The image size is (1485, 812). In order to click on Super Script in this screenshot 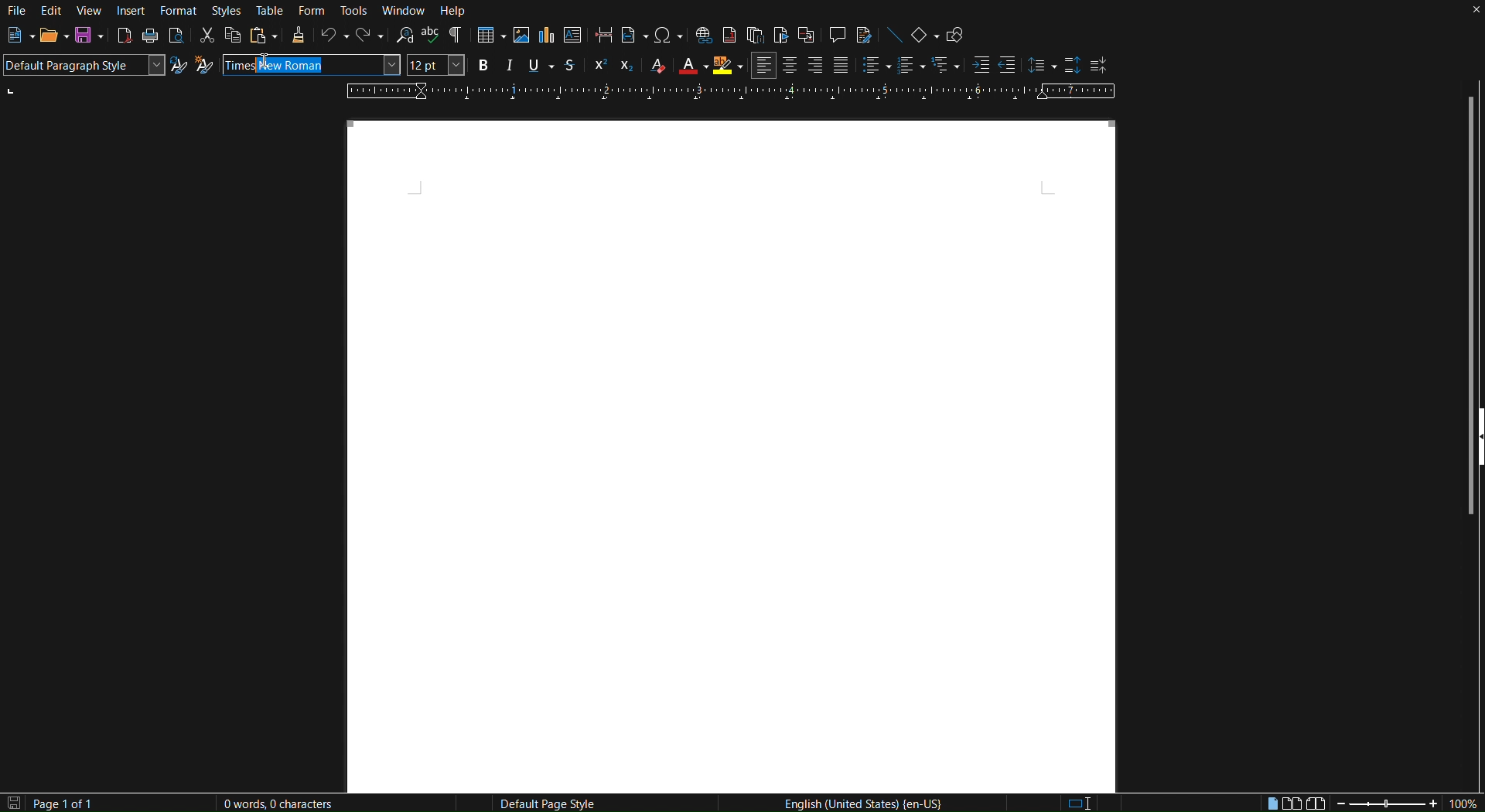, I will do `click(599, 65)`.